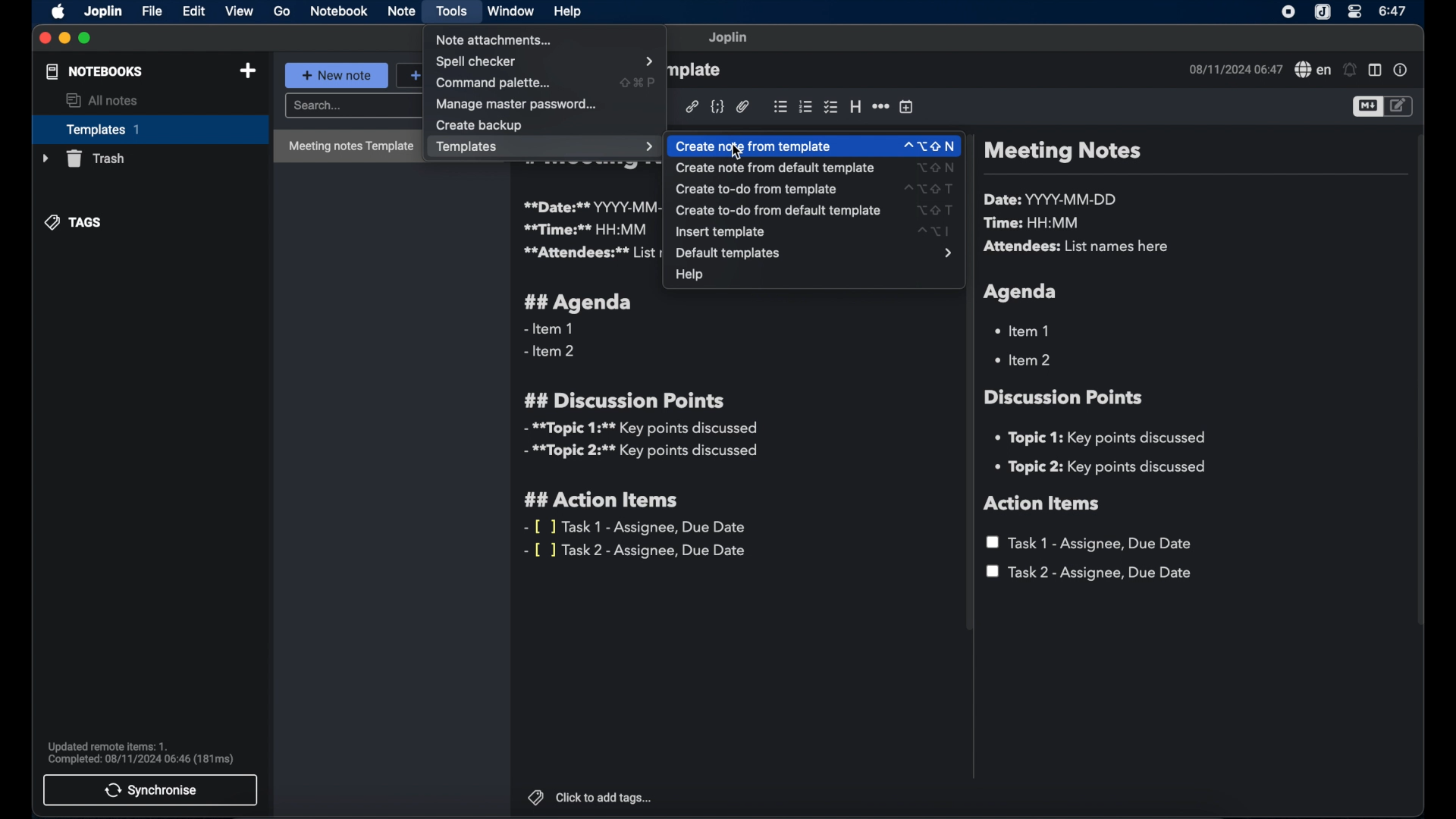 This screenshot has width=1456, height=819. Describe the element at coordinates (818, 210) in the screenshot. I see `create to-do from default template` at that location.